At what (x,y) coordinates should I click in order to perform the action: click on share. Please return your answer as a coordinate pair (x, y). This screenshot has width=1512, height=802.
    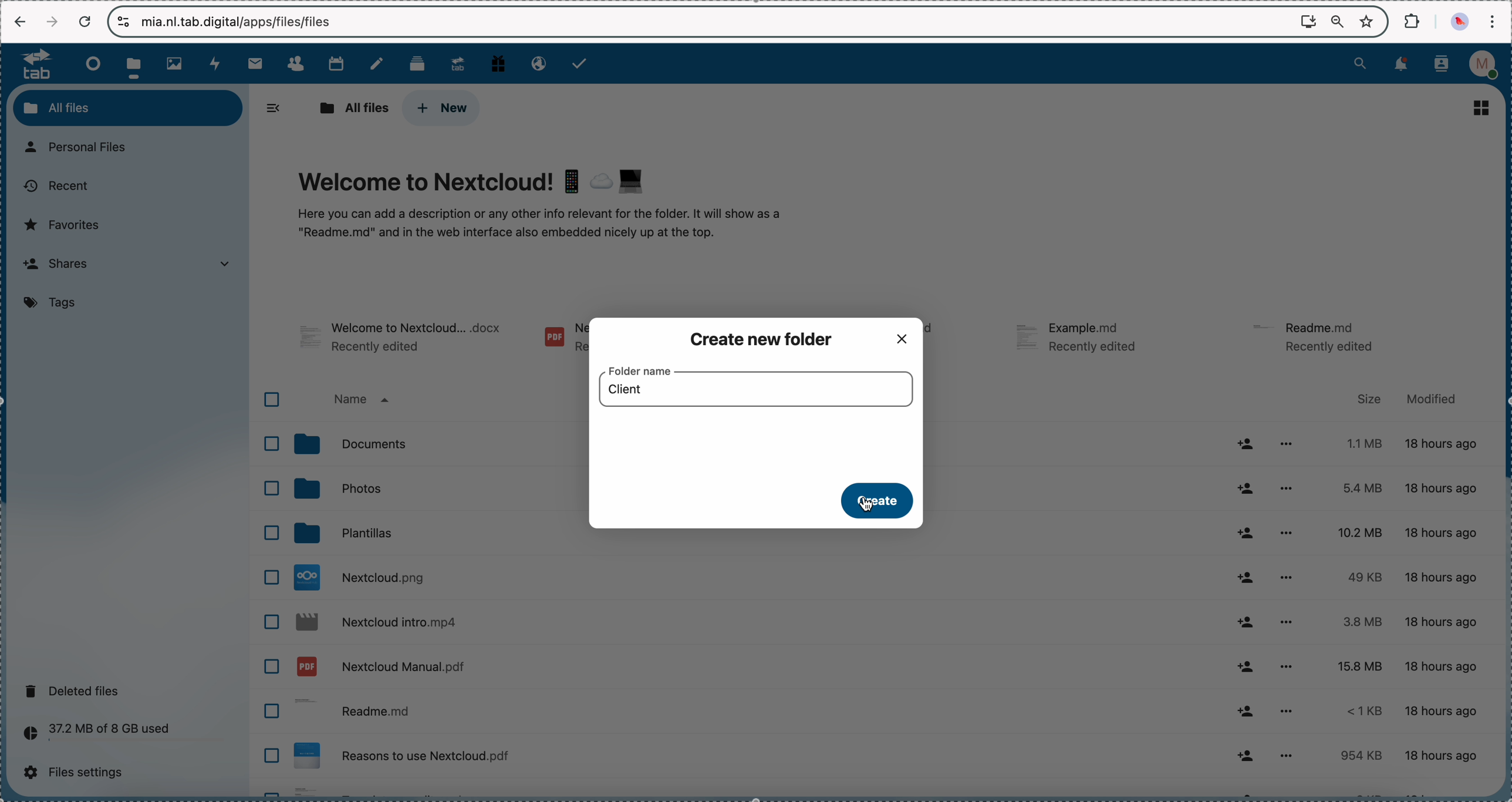
    Looking at the image, I should click on (1246, 713).